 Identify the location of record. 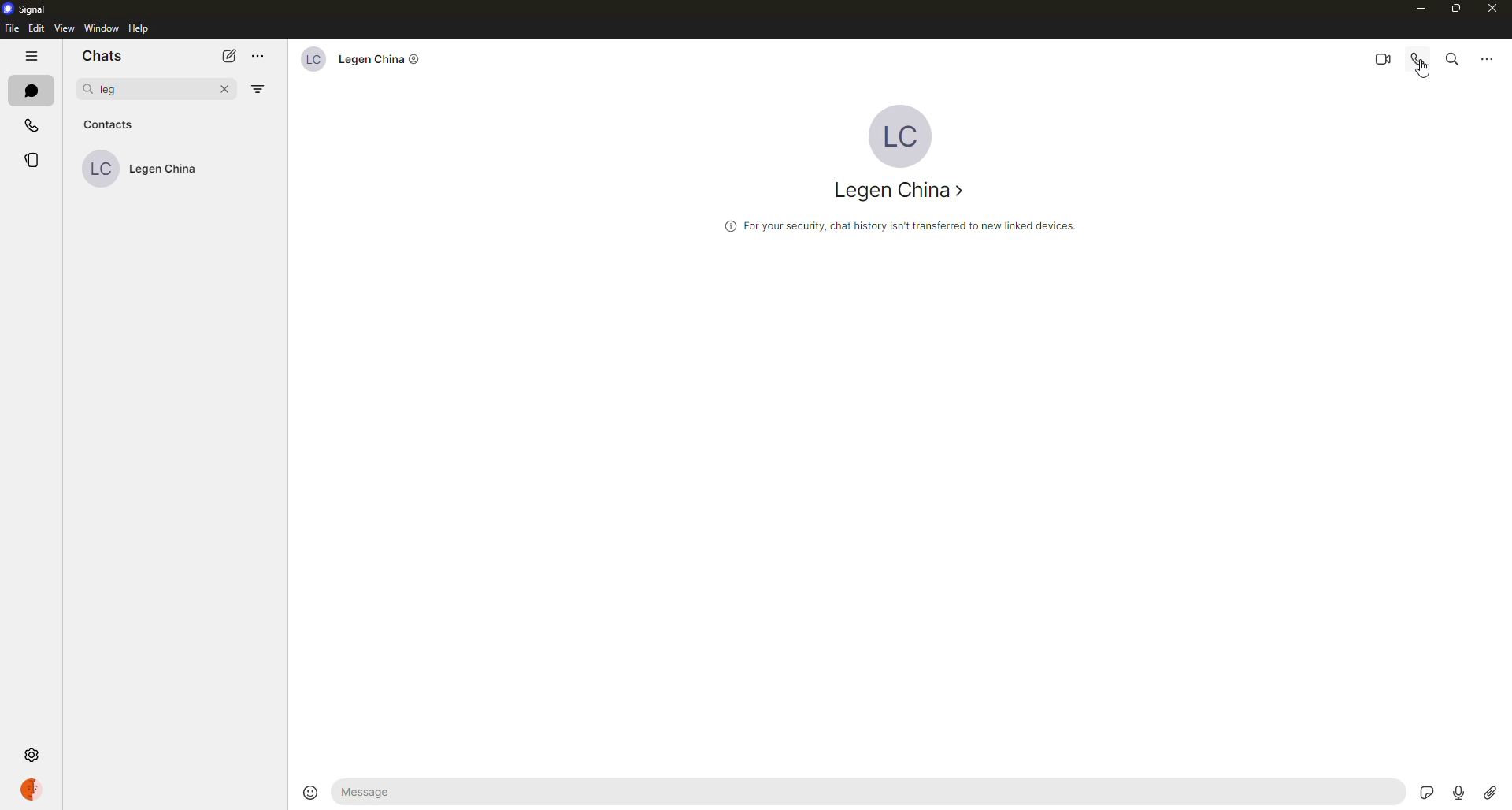
(1454, 787).